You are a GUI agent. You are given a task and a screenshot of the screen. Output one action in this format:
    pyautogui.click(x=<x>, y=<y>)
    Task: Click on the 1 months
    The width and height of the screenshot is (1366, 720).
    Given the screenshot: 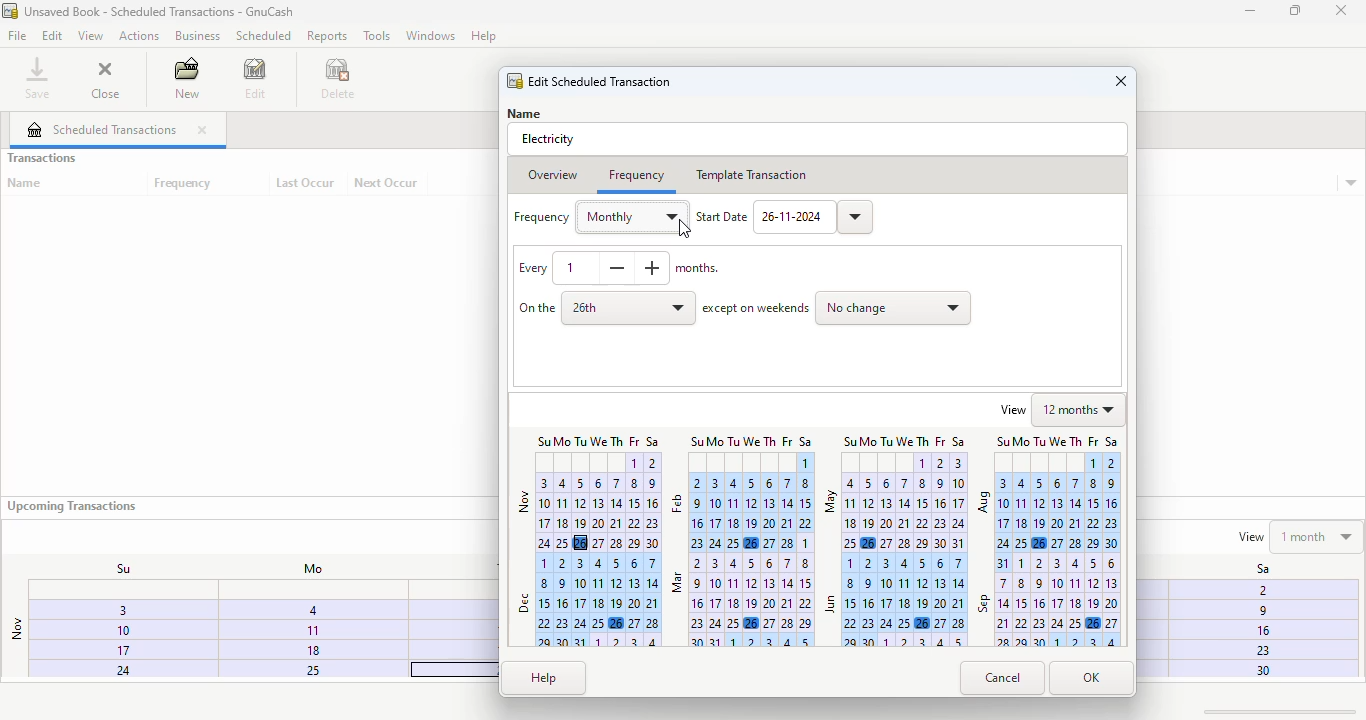 What is the action you would take?
    pyautogui.click(x=638, y=268)
    